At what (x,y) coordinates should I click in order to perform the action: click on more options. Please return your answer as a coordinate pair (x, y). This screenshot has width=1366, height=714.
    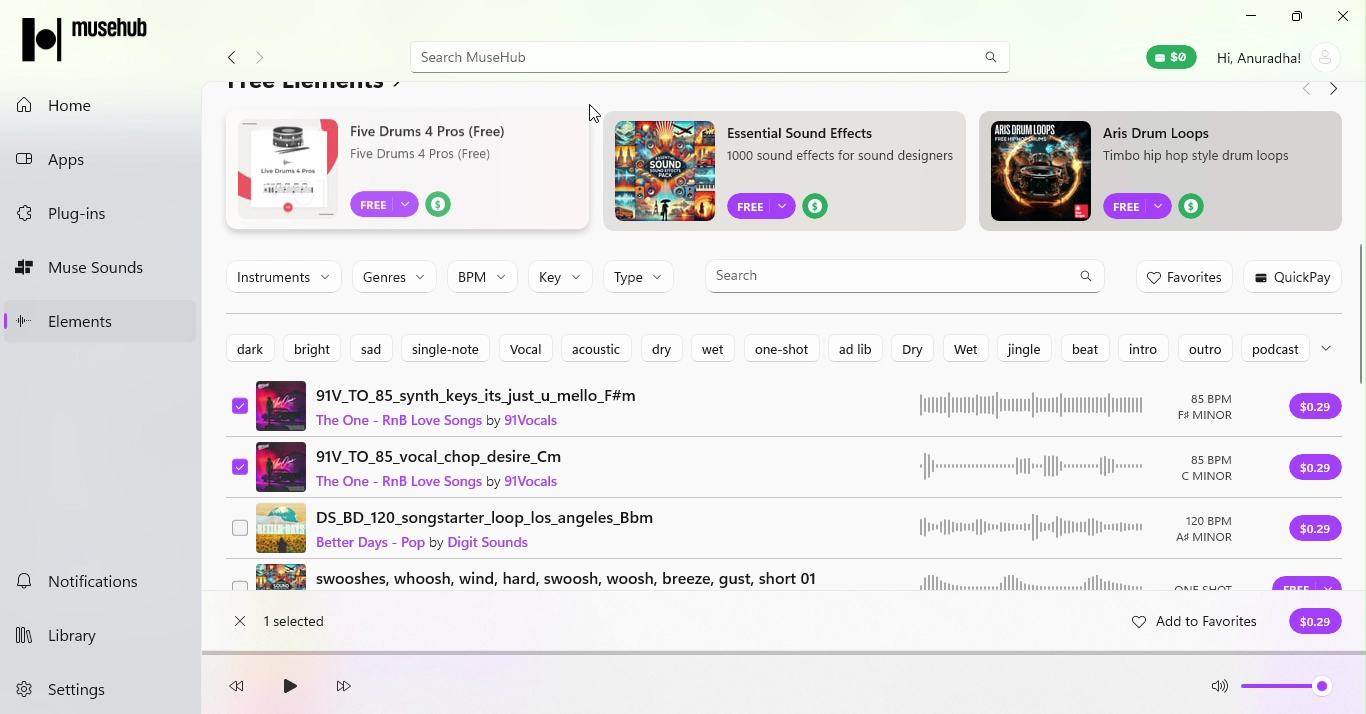
    Looking at the image, I should click on (1332, 347).